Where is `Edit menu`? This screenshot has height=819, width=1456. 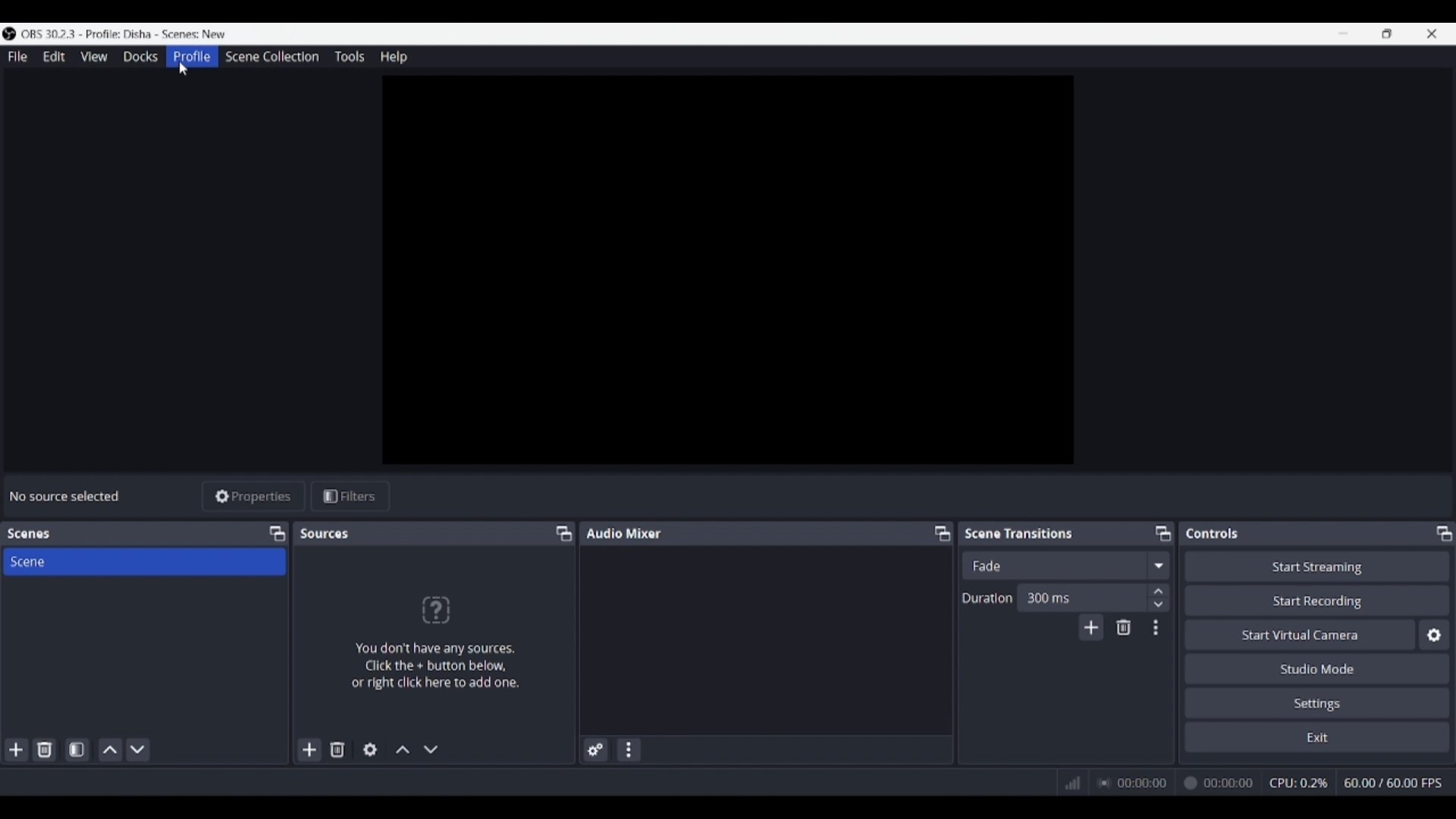 Edit menu is located at coordinates (53, 57).